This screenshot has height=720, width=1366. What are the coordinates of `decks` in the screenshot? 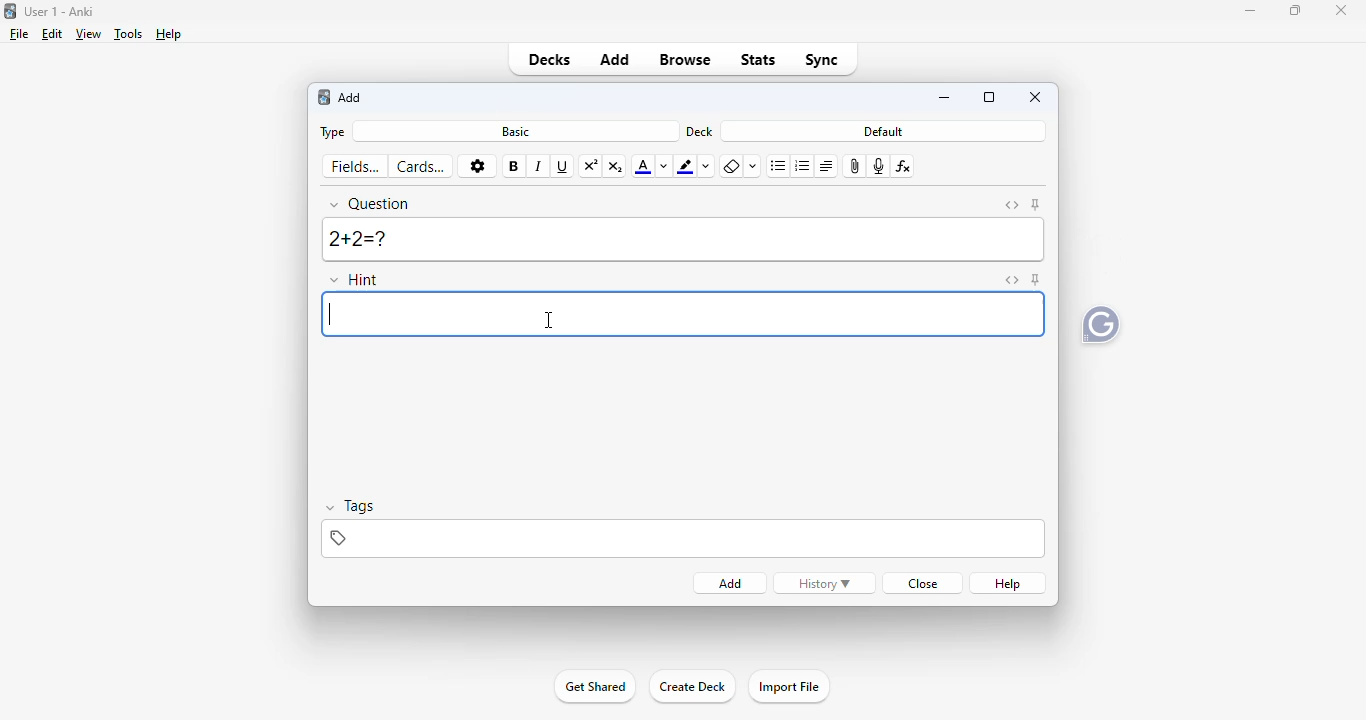 It's located at (549, 59).